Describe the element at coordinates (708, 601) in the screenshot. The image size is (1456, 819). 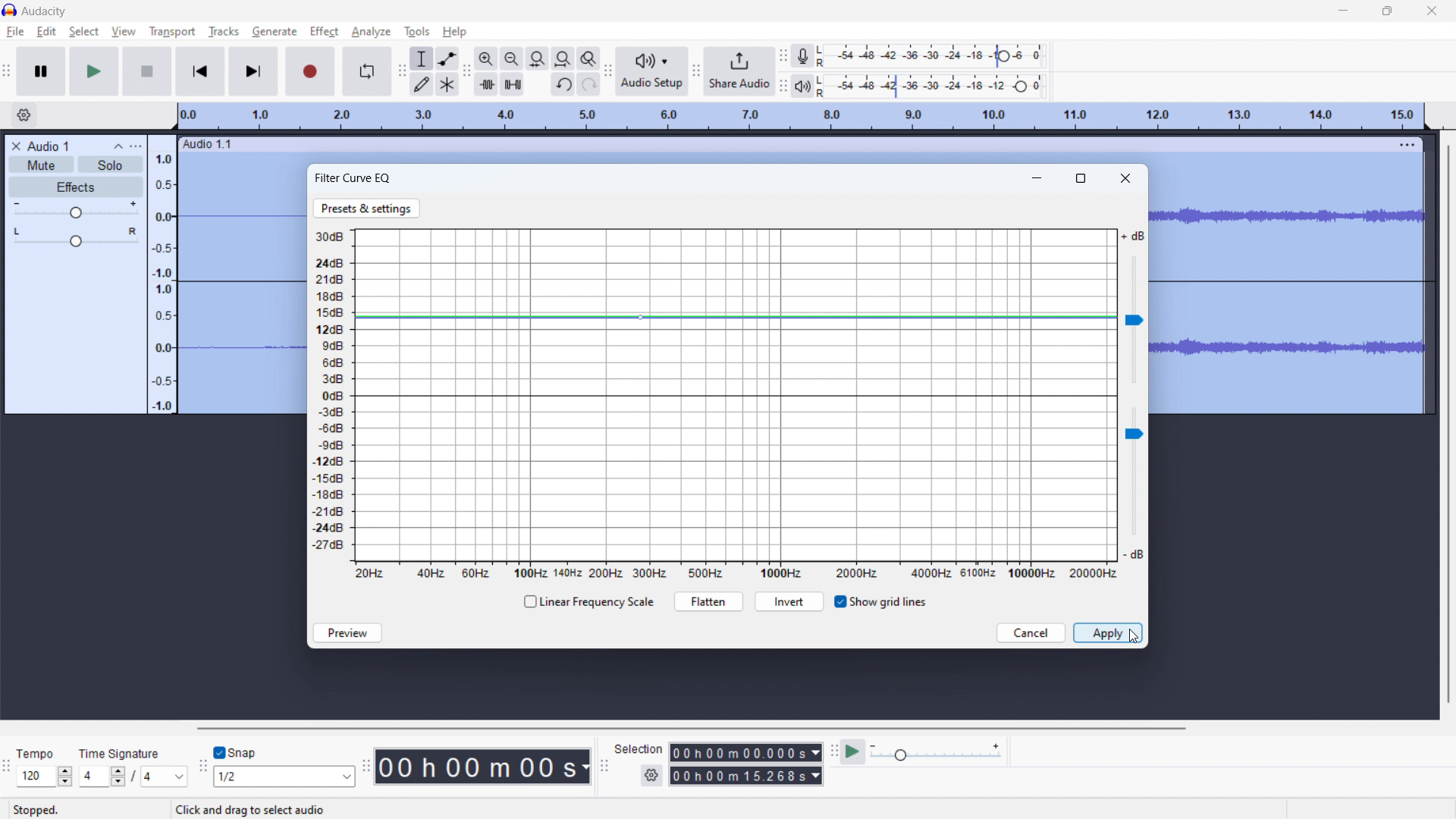
I see `flatten` at that location.